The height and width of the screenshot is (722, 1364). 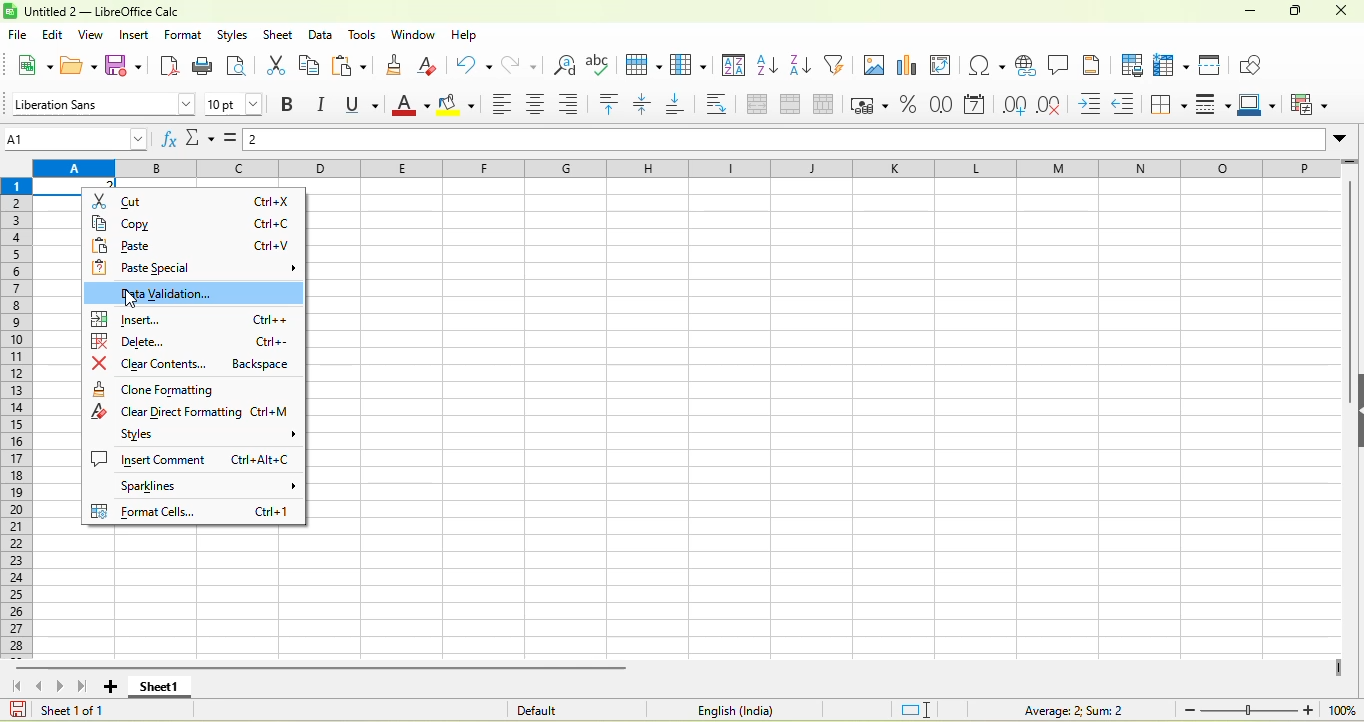 What do you see at coordinates (191, 512) in the screenshot?
I see `format cells` at bounding box center [191, 512].